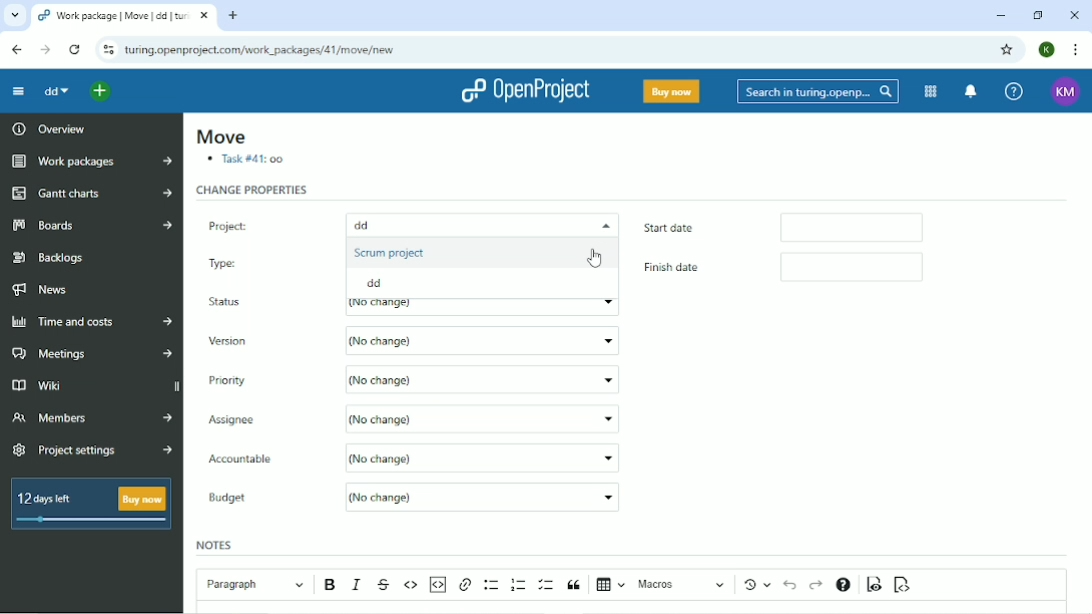 Image resolution: width=1092 pixels, height=614 pixels. What do you see at coordinates (92, 354) in the screenshot?
I see `Meetings` at bounding box center [92, 354].